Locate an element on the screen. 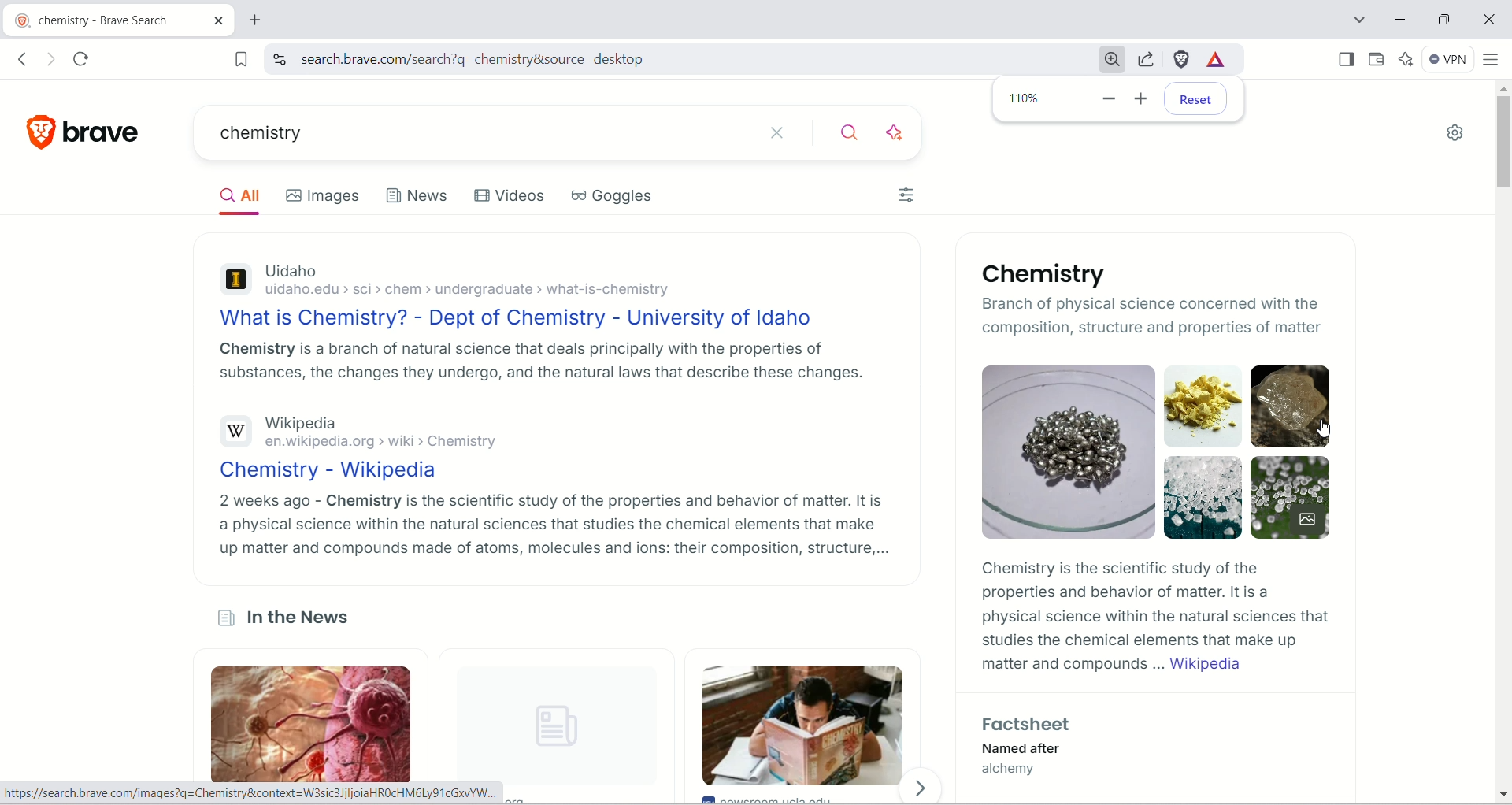 Image resolution: width=1512 pixels, height=805 pixels. go forward is located at coordinates (54, 60).